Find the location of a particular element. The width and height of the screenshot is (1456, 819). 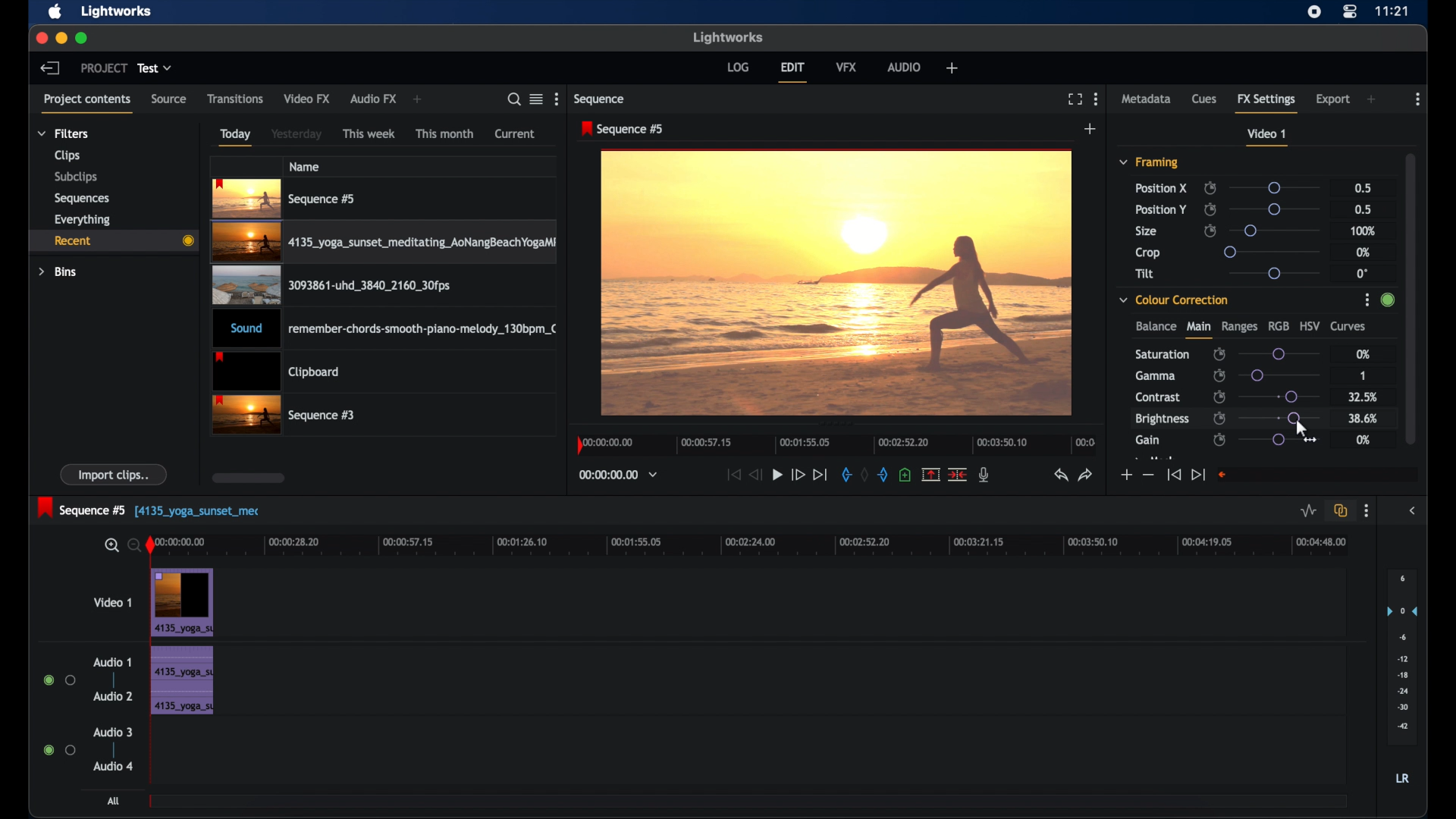

timeline is located at coordinates (837, 444).